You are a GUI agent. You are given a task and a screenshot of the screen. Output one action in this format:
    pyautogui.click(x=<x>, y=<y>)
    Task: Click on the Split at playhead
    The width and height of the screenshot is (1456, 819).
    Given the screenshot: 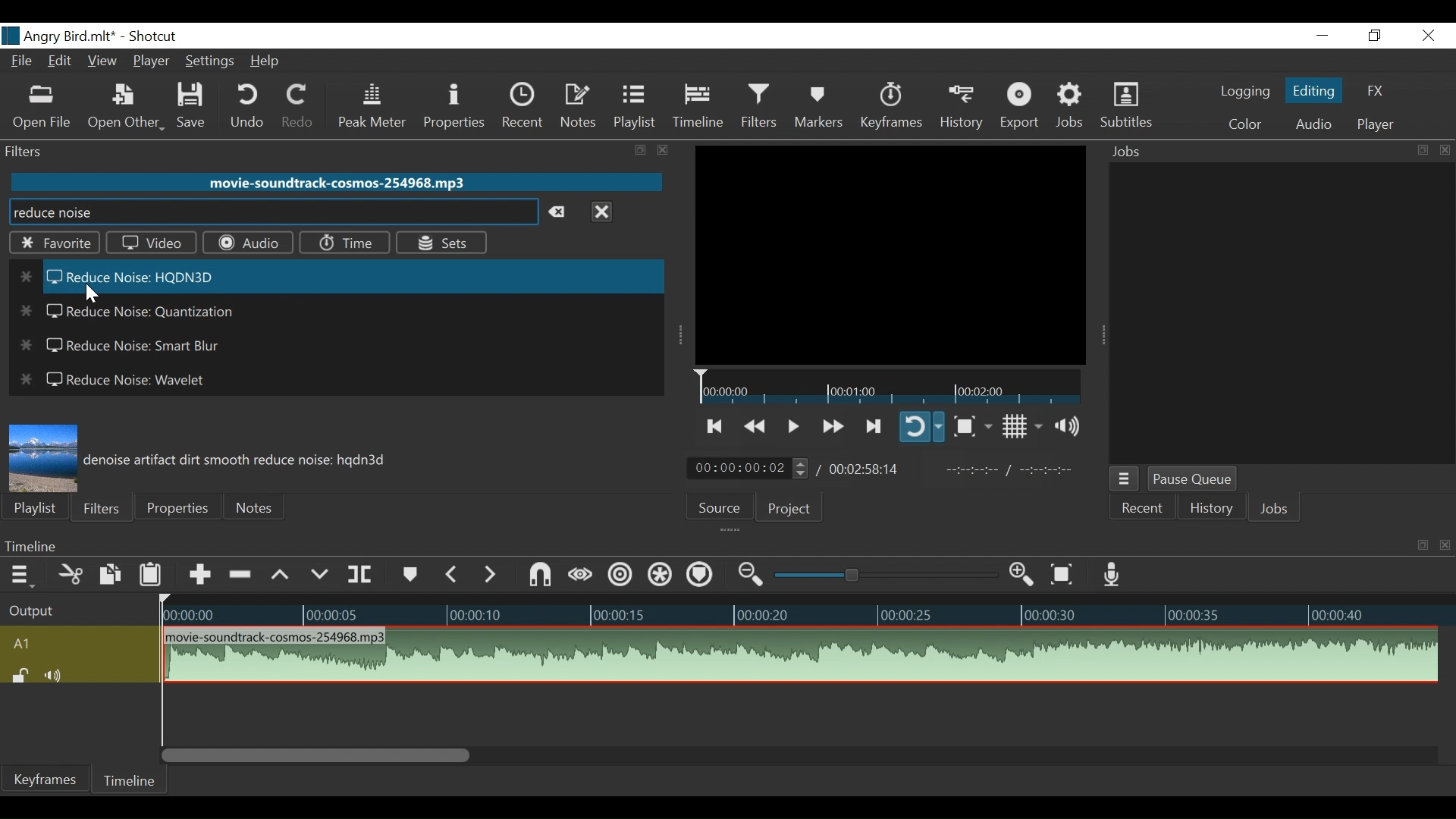 What is the action you would take?
    pyautogui.click(x=361, y=573)
    